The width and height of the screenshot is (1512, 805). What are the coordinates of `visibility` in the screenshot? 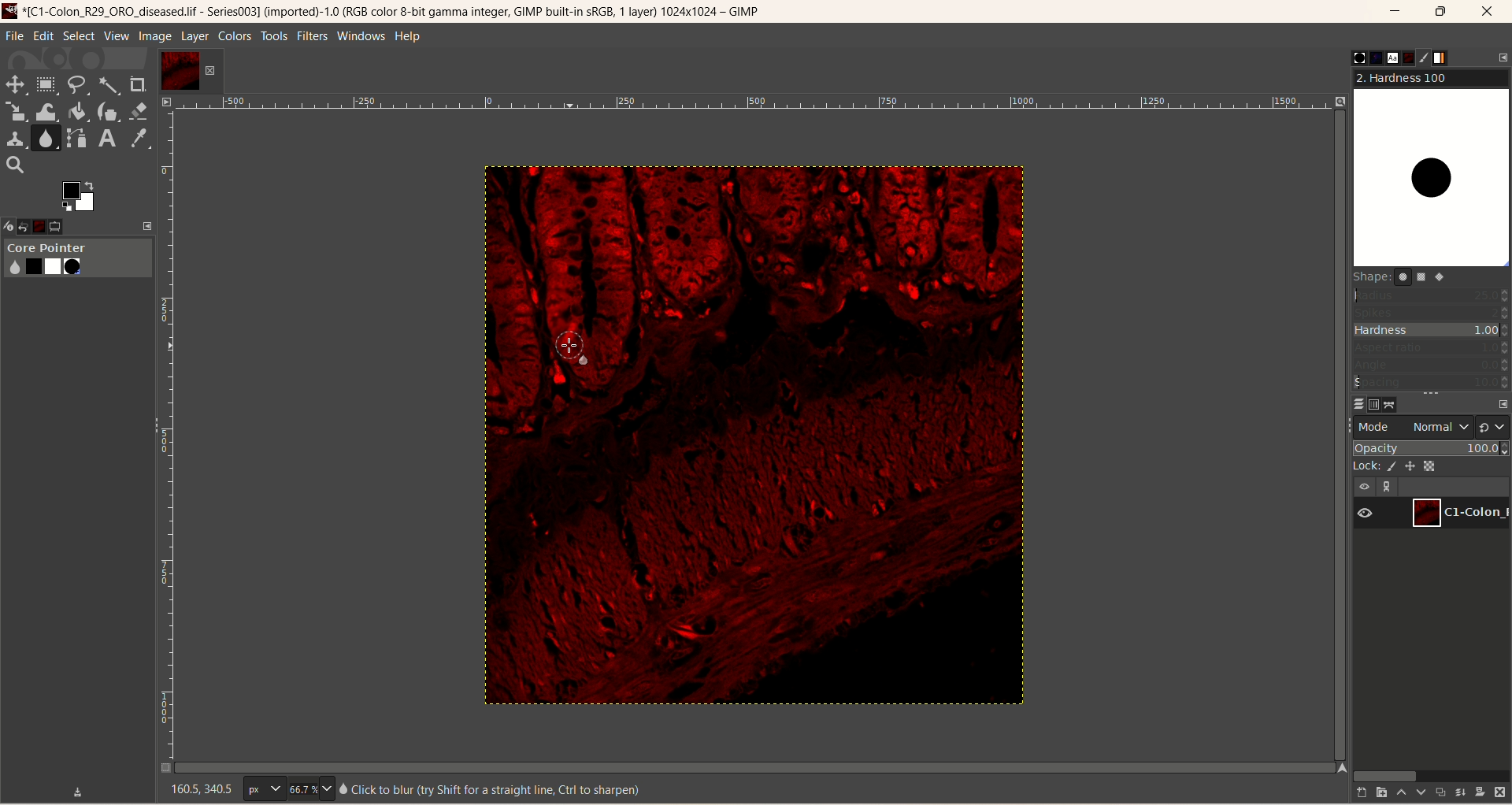 It's located at (1366, 485).